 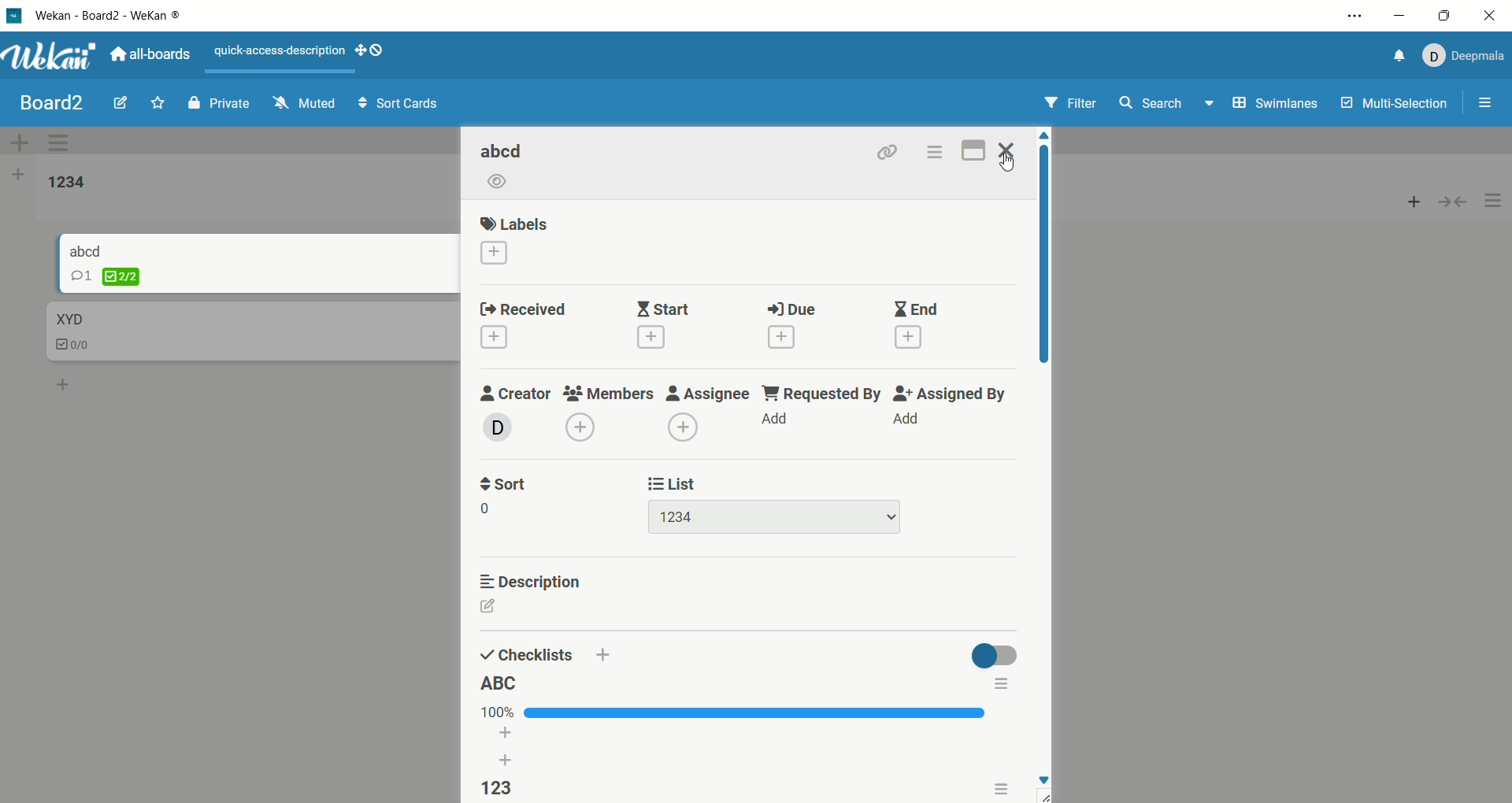 I want to click on logo, so click(x=16, y=15).